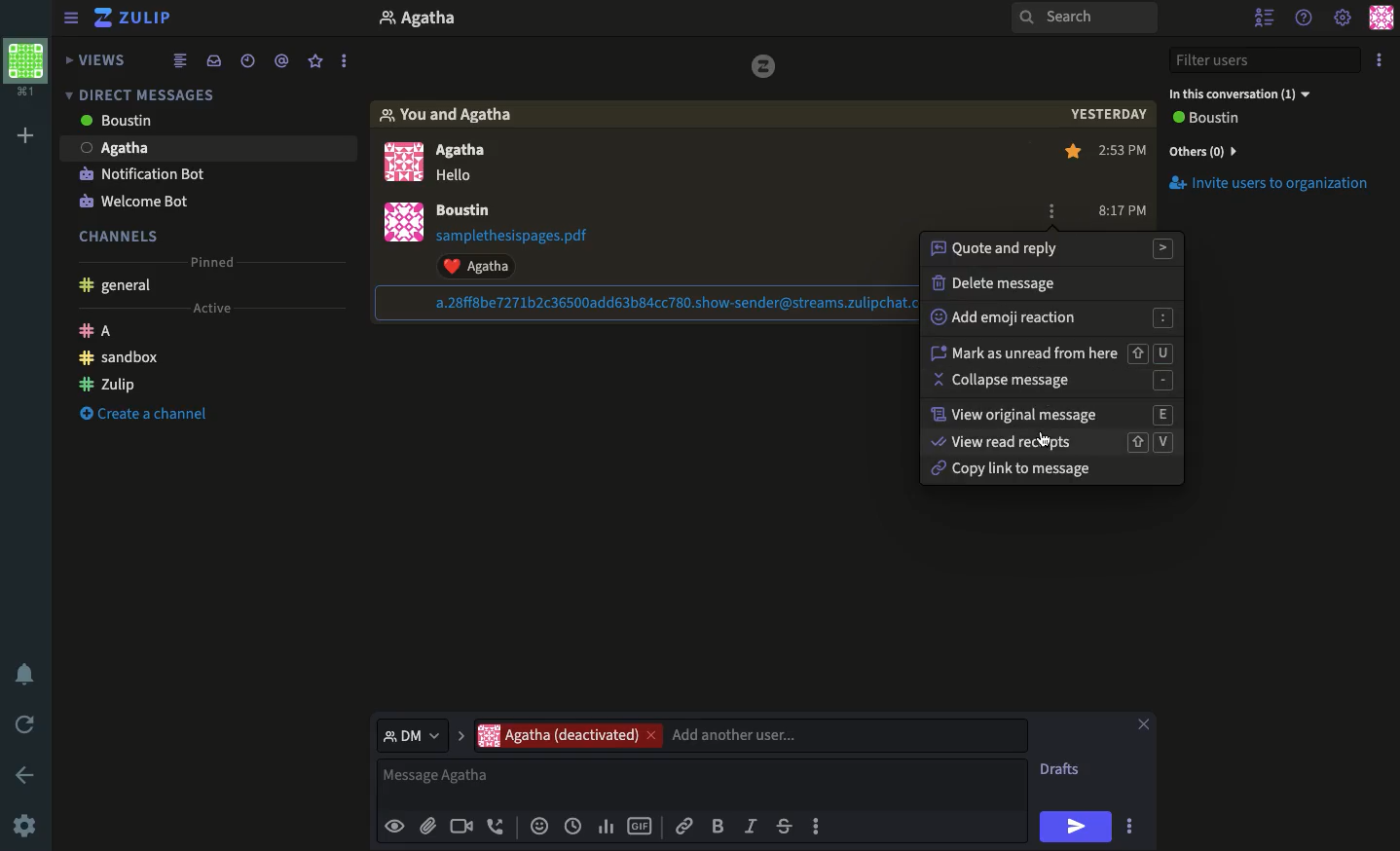 The image size is (1400, 851). I want to click on Click options, so click(1050, 212).